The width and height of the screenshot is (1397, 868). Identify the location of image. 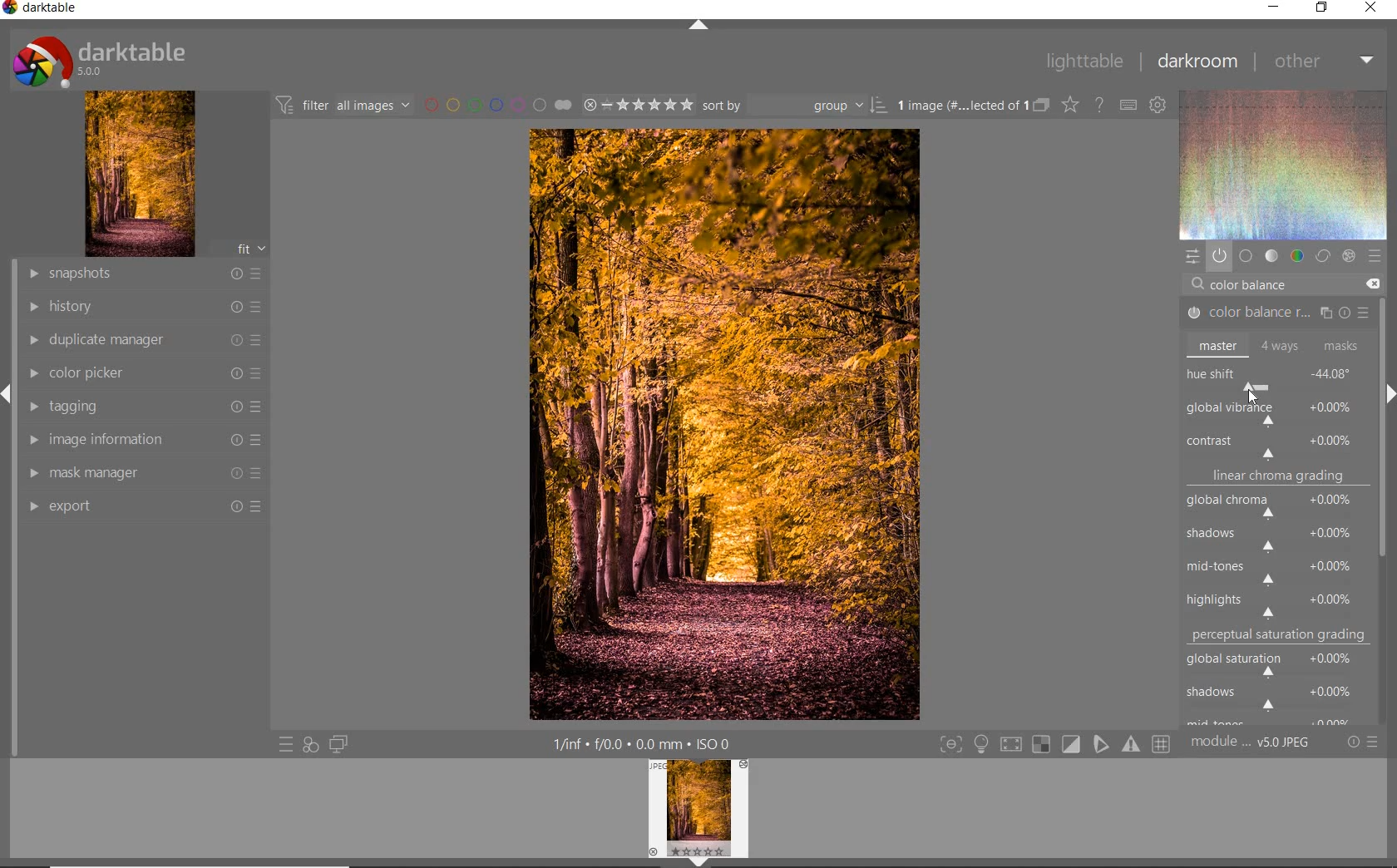
(141, 174).